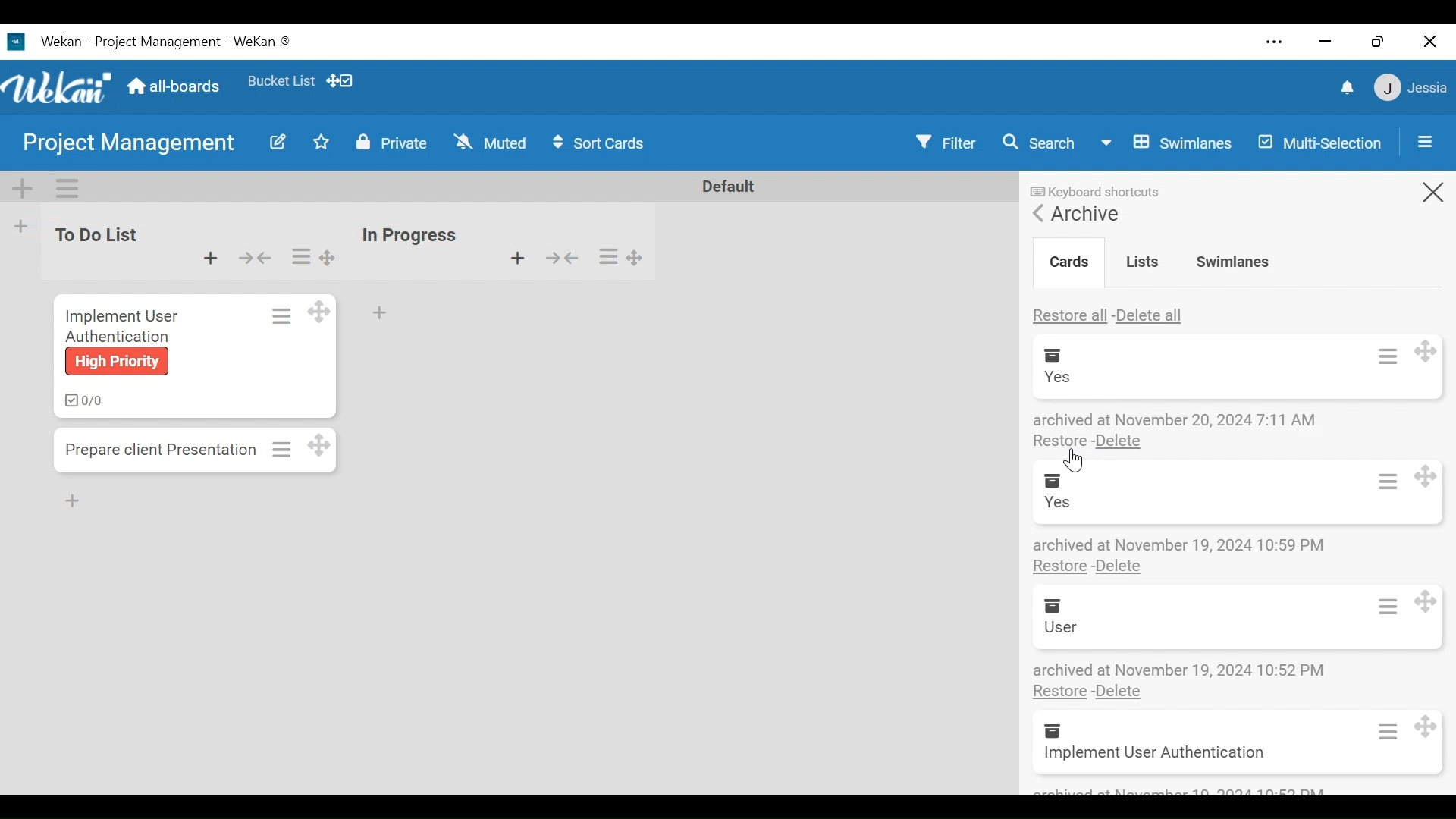 Image resolution: width=1456 pixels, height=819 pixels. Describe the element at coordinates (1038, 212) in the screenshot. I see `Back` at that location.